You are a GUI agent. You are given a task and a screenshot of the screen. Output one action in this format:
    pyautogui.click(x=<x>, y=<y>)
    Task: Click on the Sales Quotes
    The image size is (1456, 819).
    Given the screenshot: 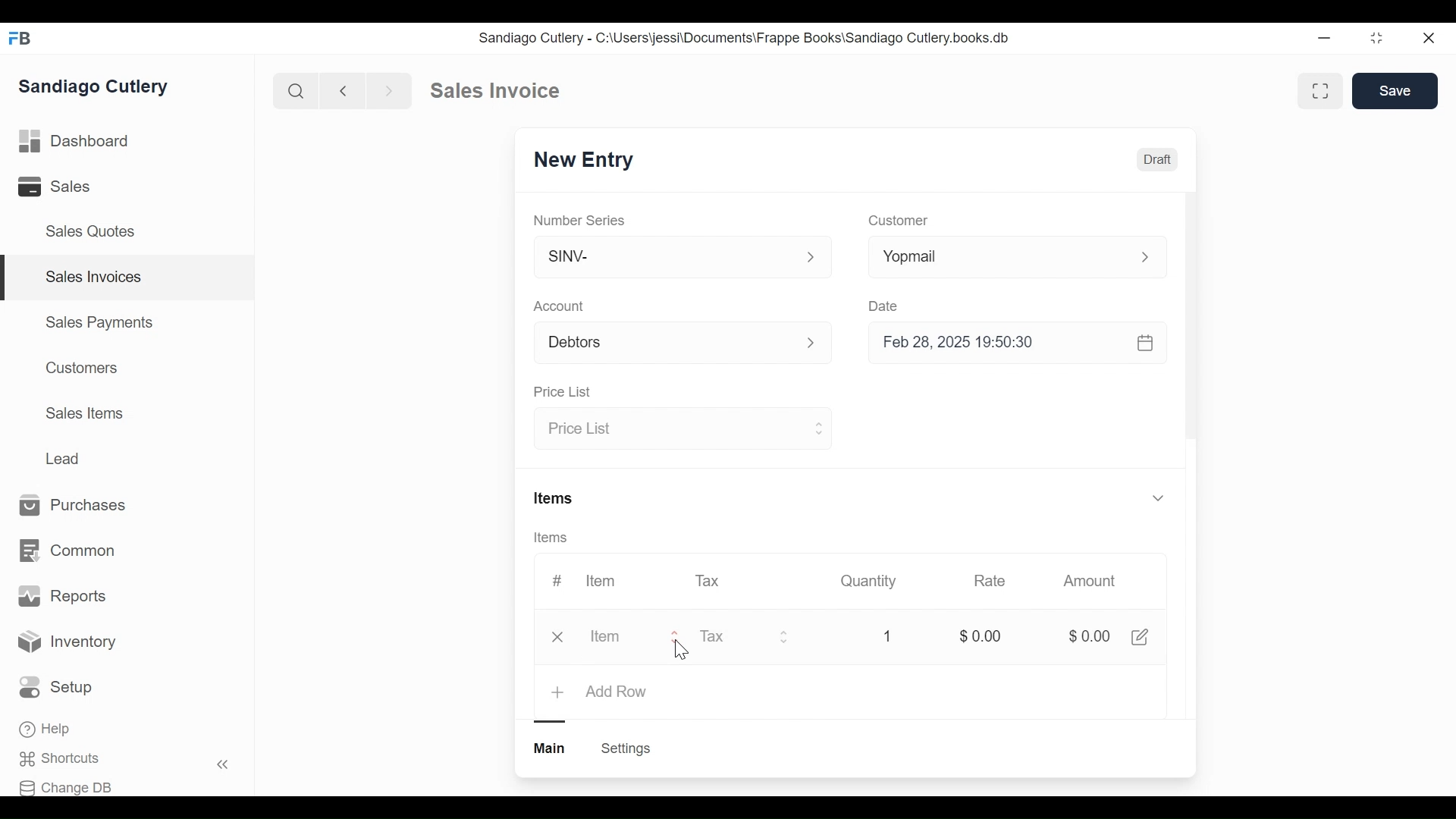 What is the action you would take?
    pyautogui.click(x=96, y=232)
    